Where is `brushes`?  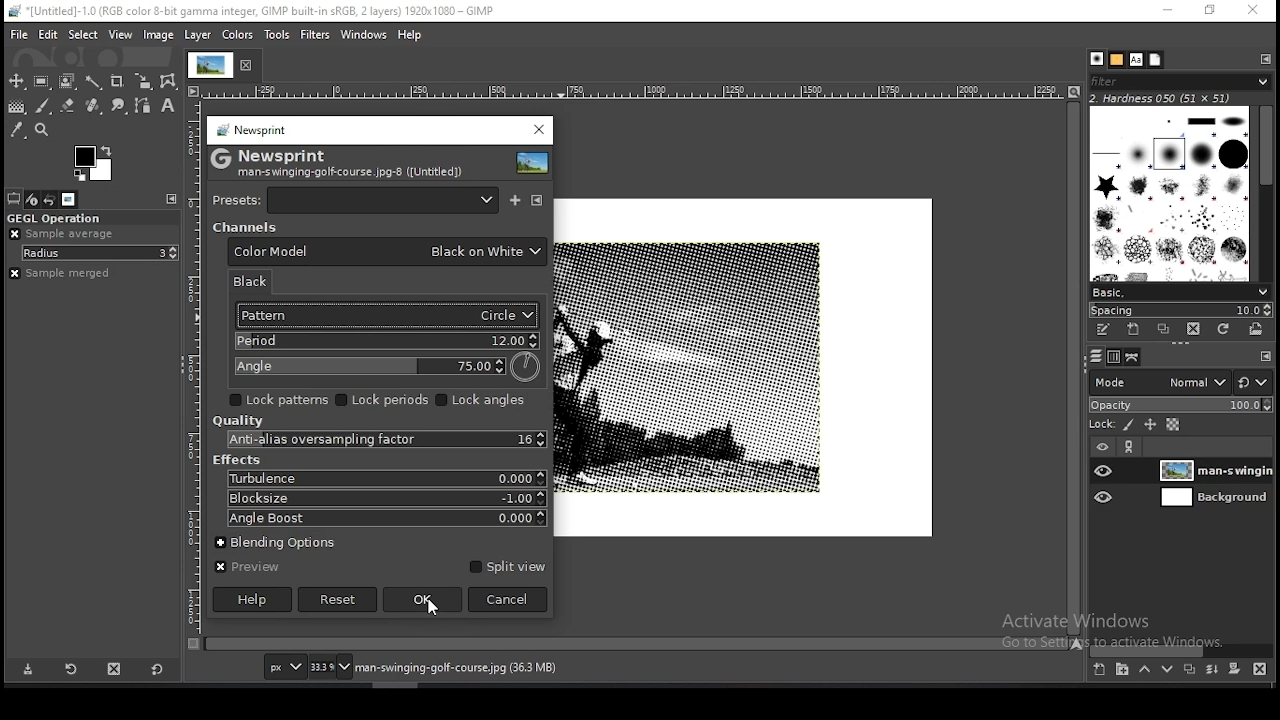
brushes is located at coordinates (1171, 193).